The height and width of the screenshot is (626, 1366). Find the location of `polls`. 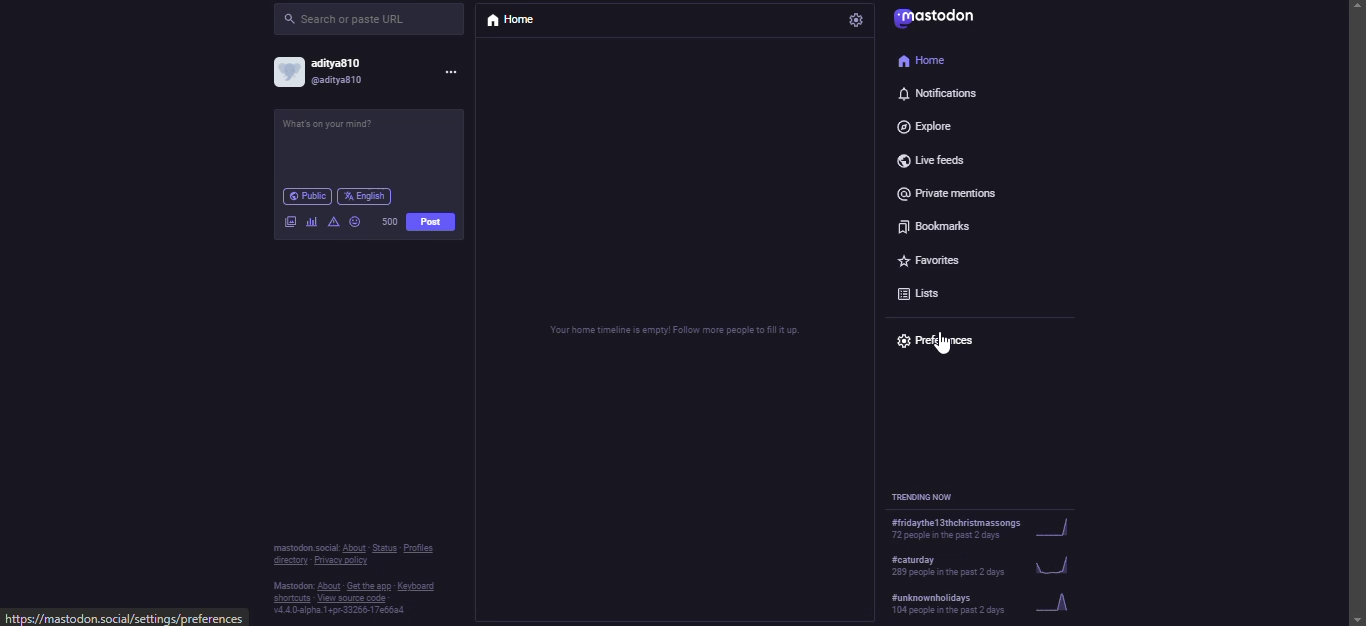

polls is located at coordinates (310, 221).